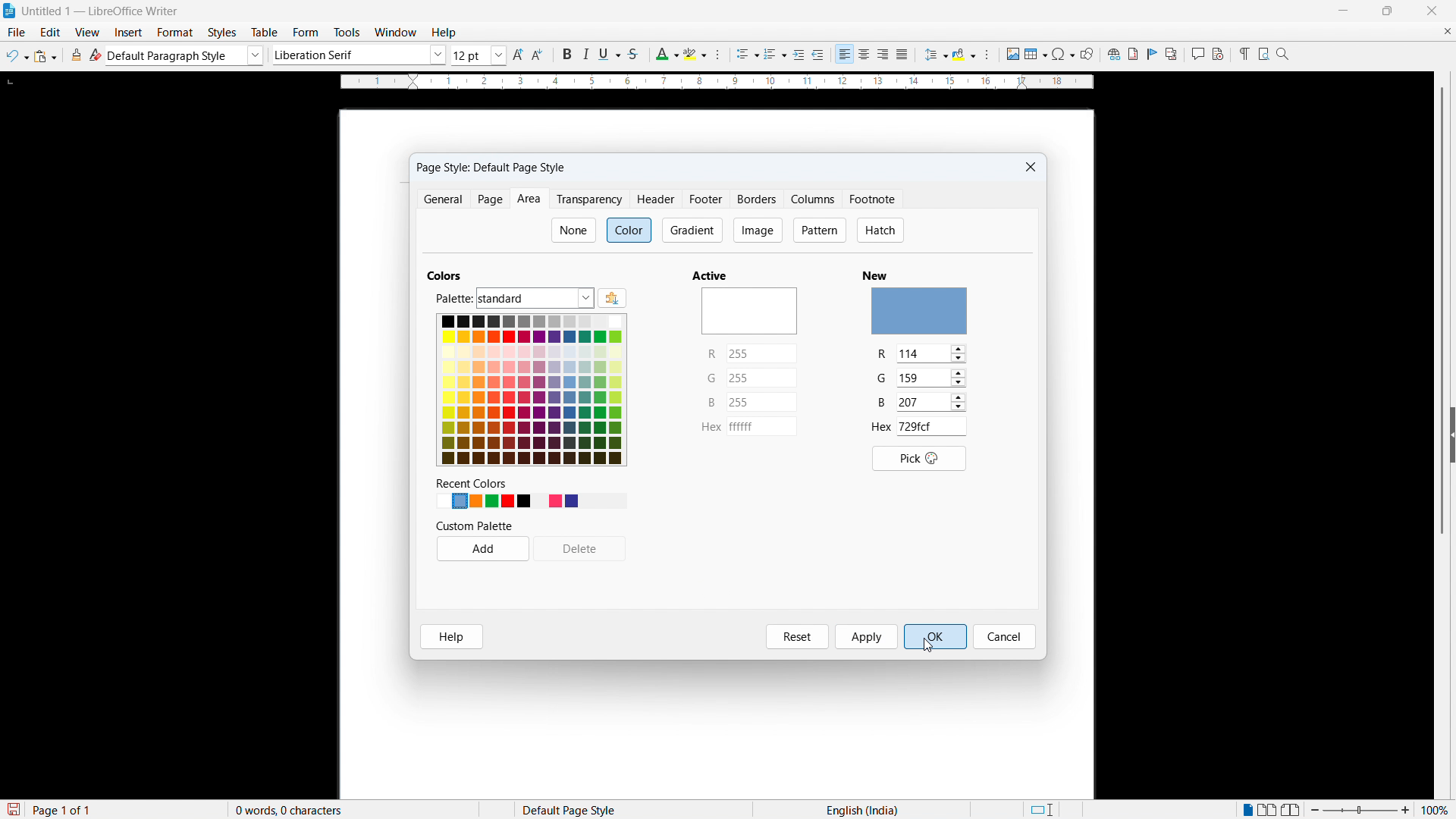 This screenshot has width=1456, height=819. What do you see at coordinates (224, 33) in the screenshot?
I see `Styles ` at bounding box center [224, 33].